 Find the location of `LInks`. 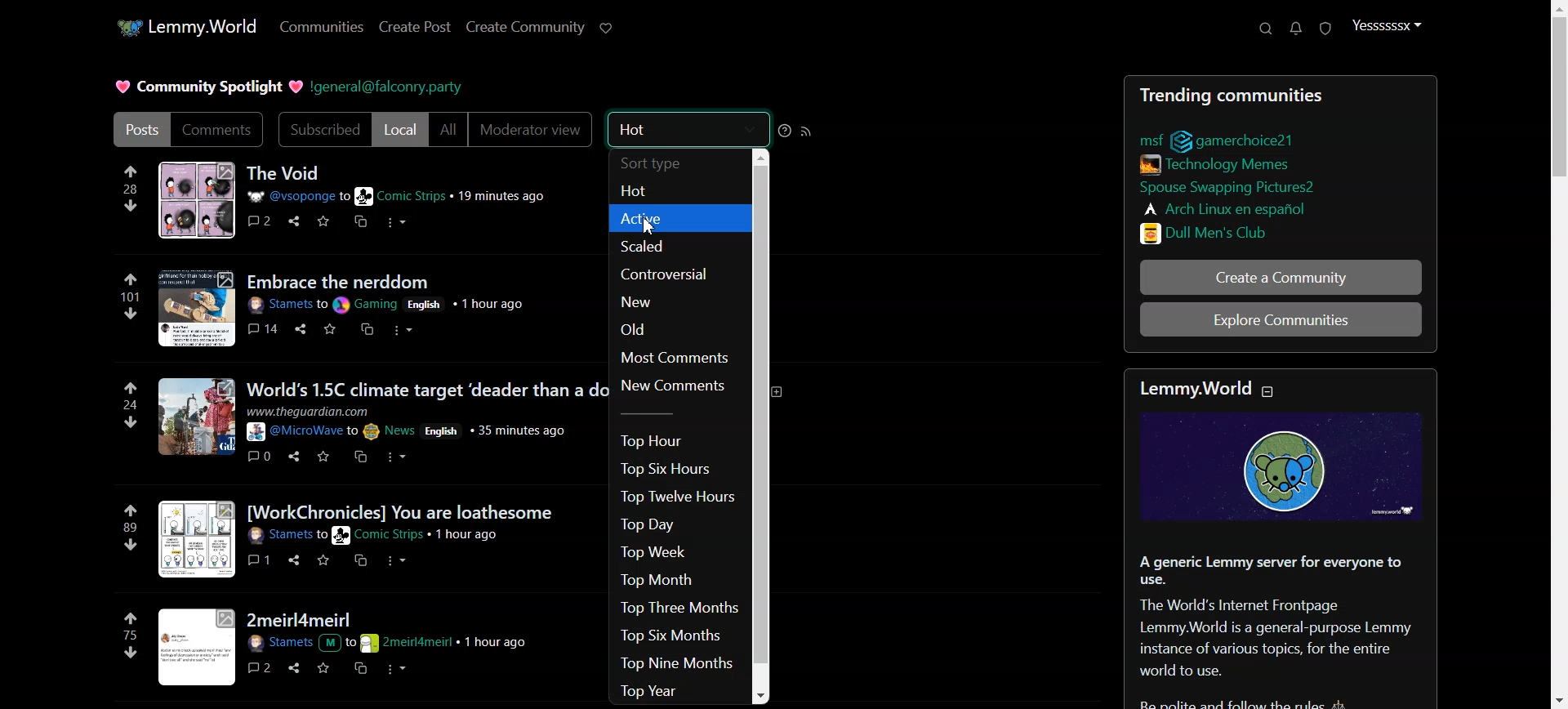

LInks is located at coordinates (1162, 140).